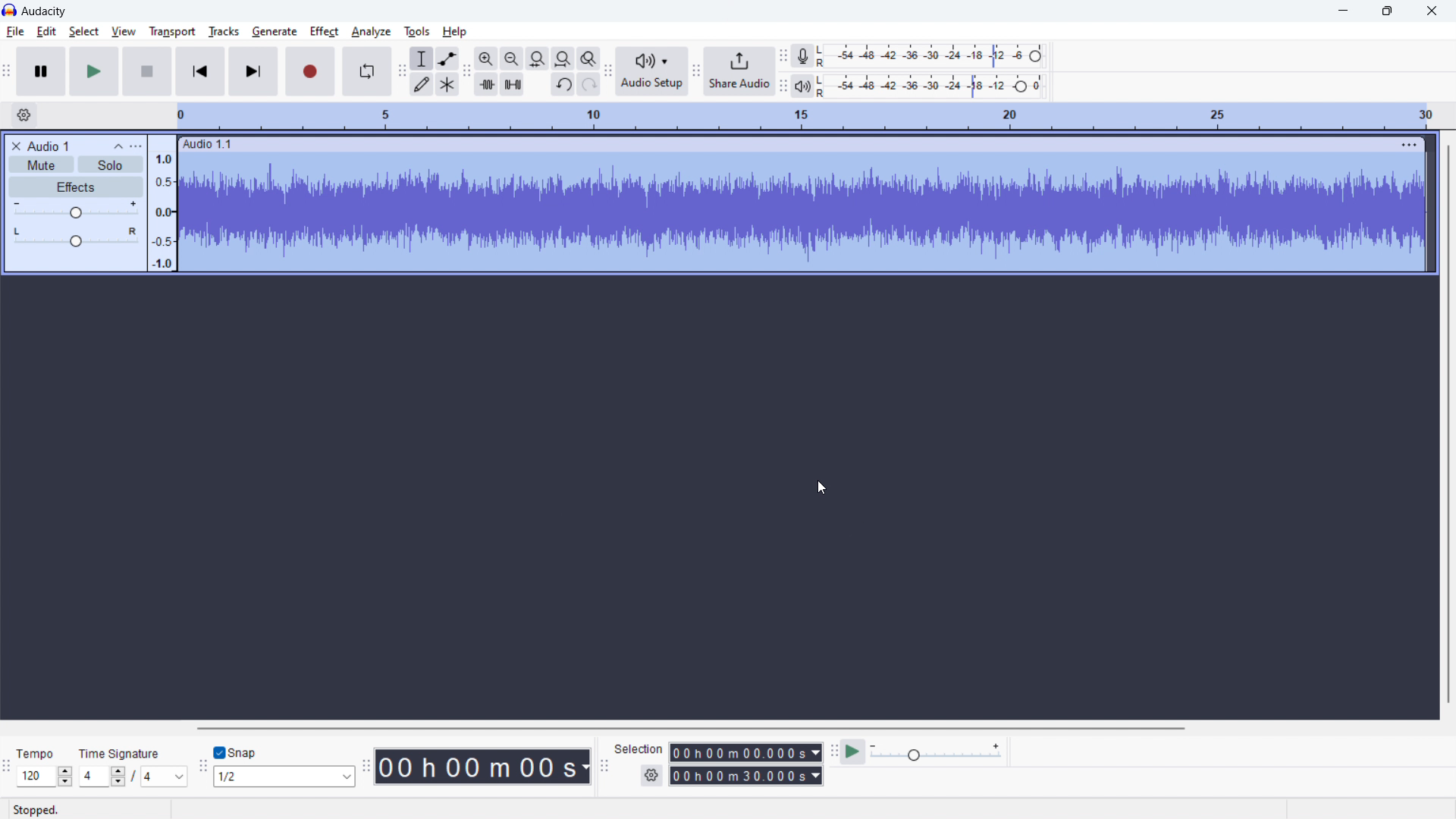 This screenshot has height=819, width=1456. I want to click on undo, so click(563, 84).